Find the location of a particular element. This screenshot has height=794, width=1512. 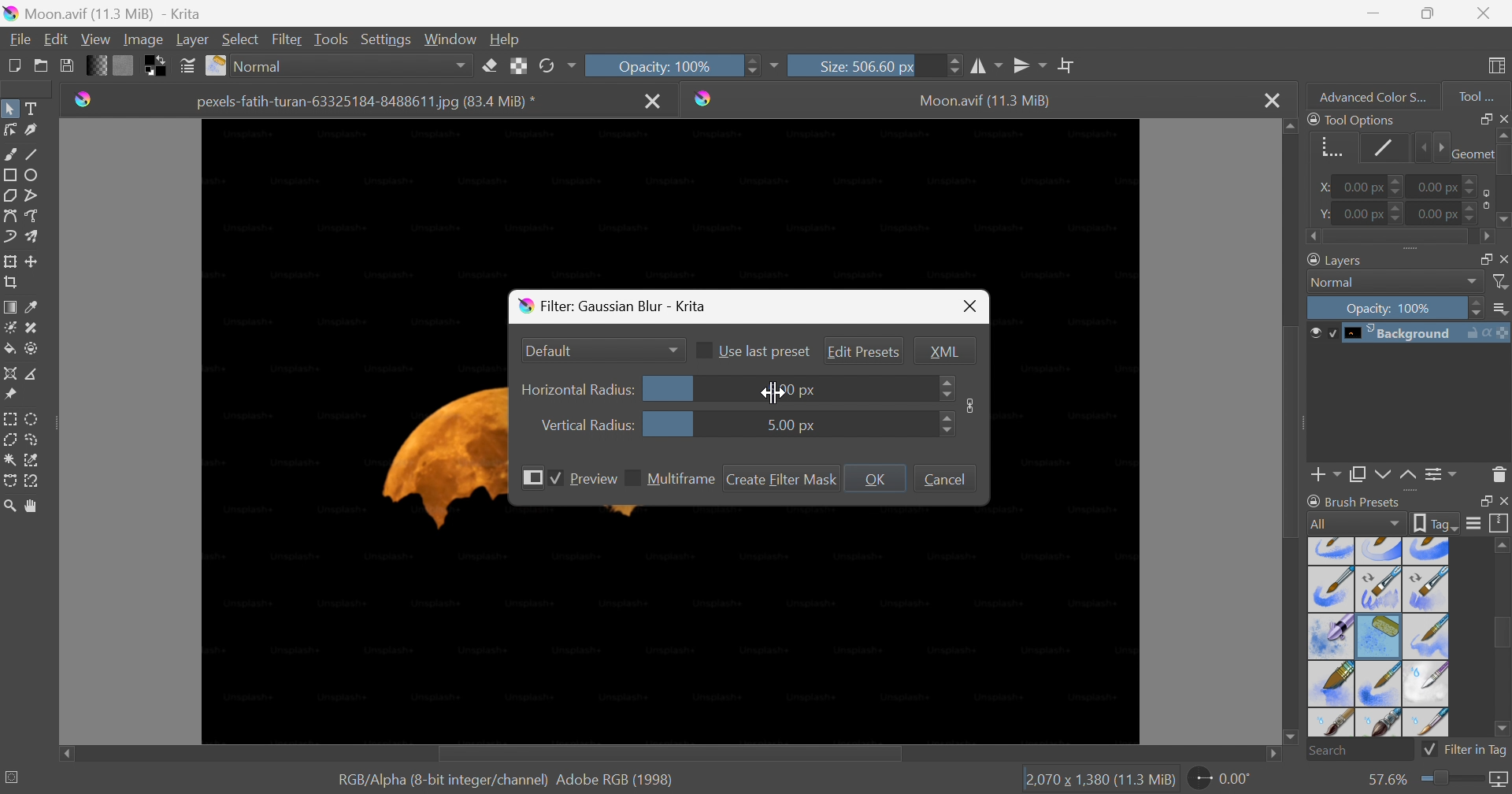

2,070×1,380 (11.3 MiB) is located at coordinates (1099, 781).